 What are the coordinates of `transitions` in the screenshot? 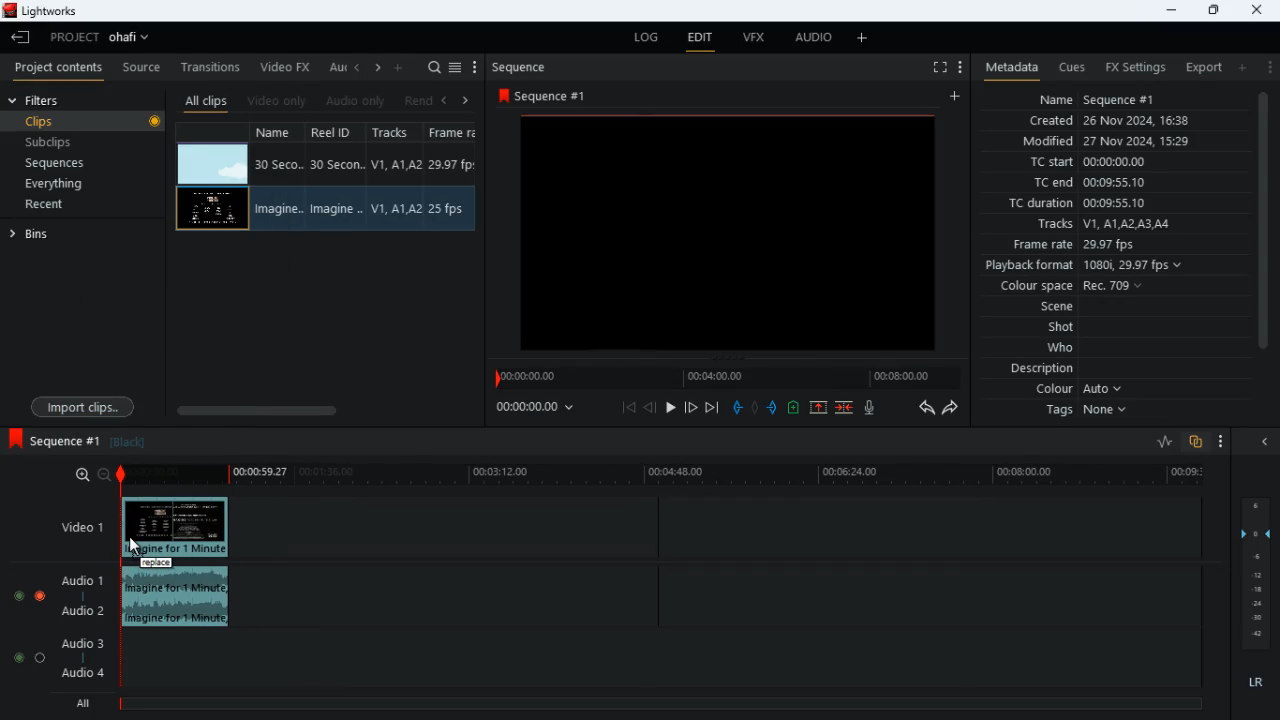 It's located at (212, 65).